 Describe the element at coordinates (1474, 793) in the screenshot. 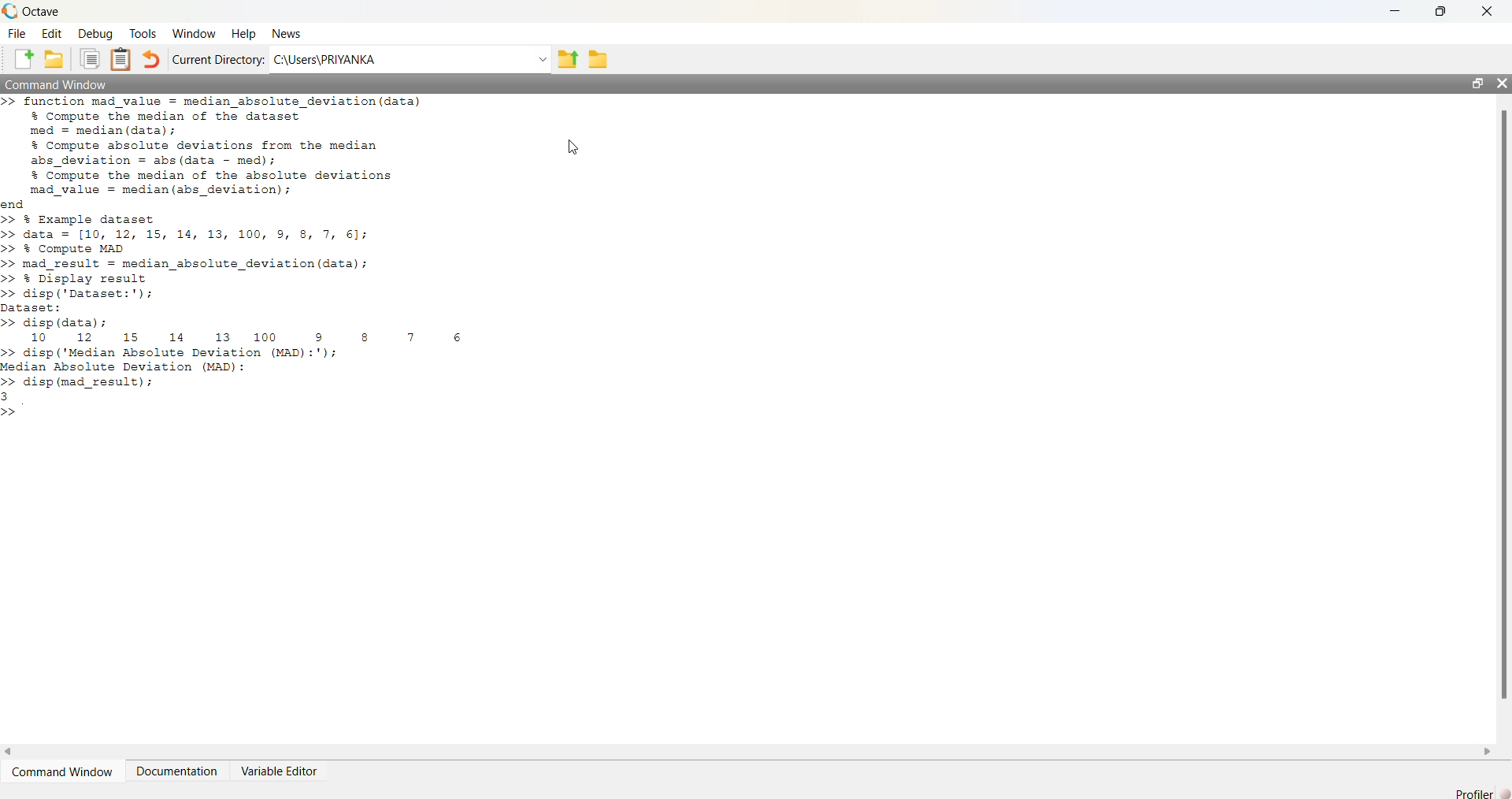

I see `Profiler` at that location.